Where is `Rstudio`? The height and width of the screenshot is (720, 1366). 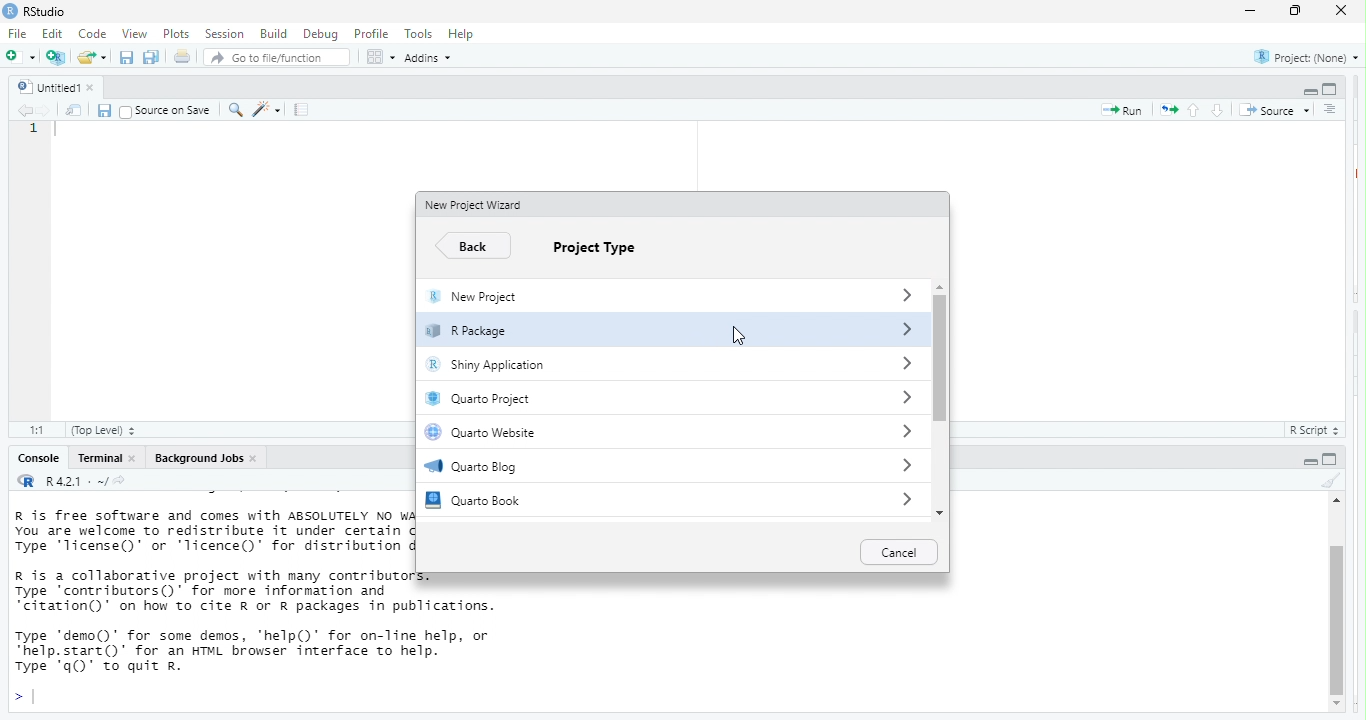
Rstudio is located at coordinates (46, 11).